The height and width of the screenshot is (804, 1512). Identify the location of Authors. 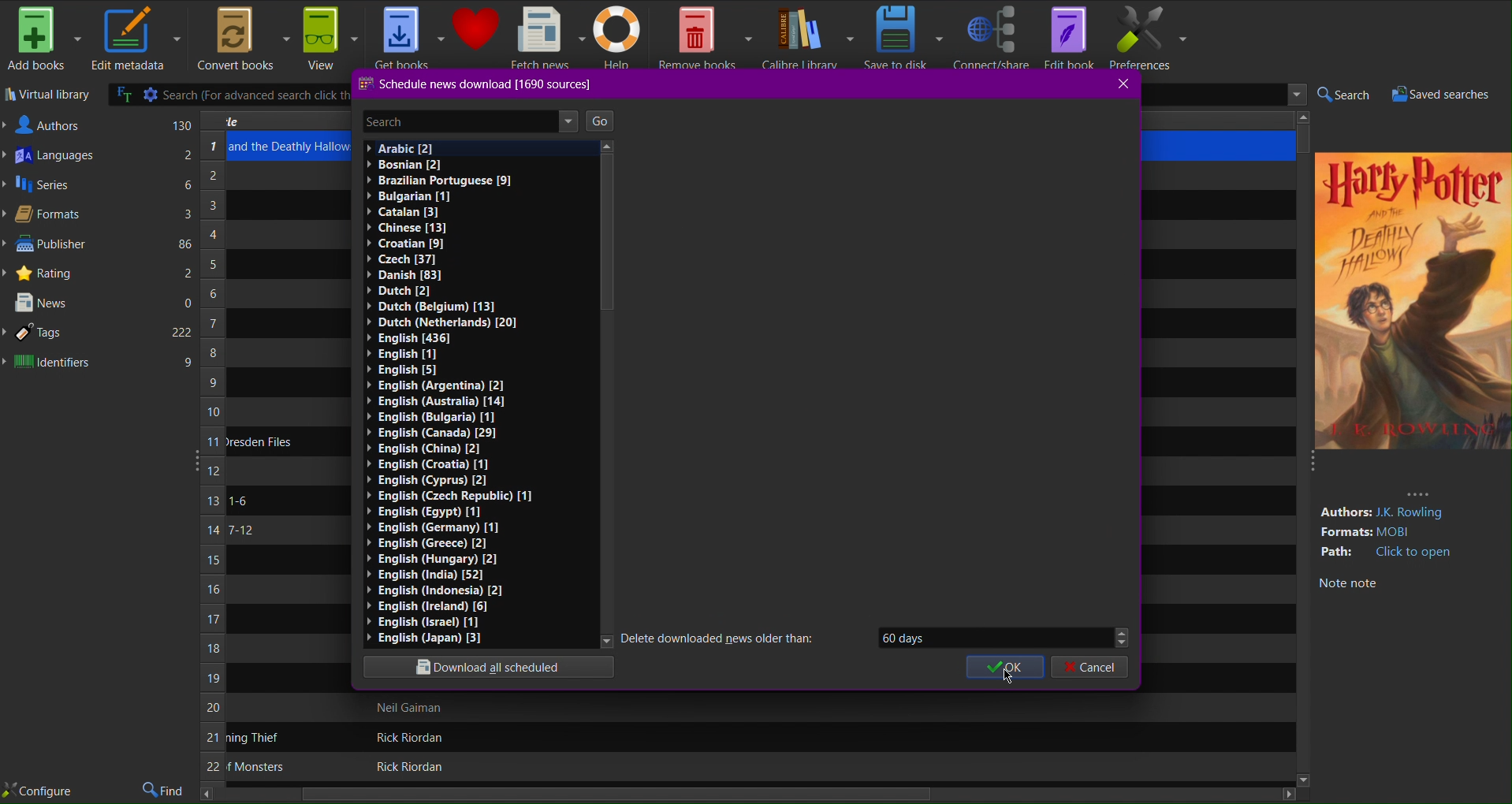
(99, 124).